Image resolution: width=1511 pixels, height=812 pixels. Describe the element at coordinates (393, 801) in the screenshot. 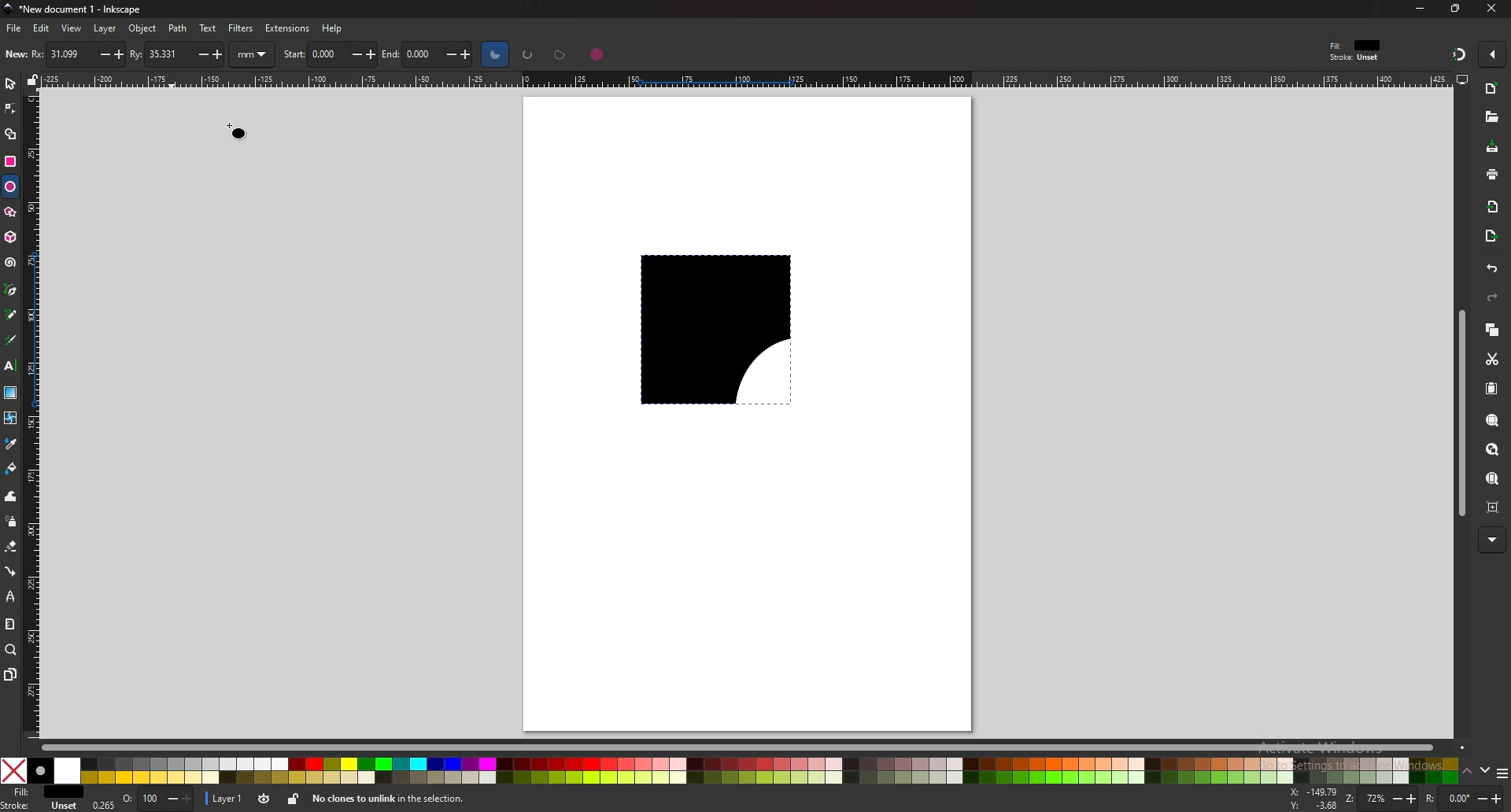

I see `info` at that location.